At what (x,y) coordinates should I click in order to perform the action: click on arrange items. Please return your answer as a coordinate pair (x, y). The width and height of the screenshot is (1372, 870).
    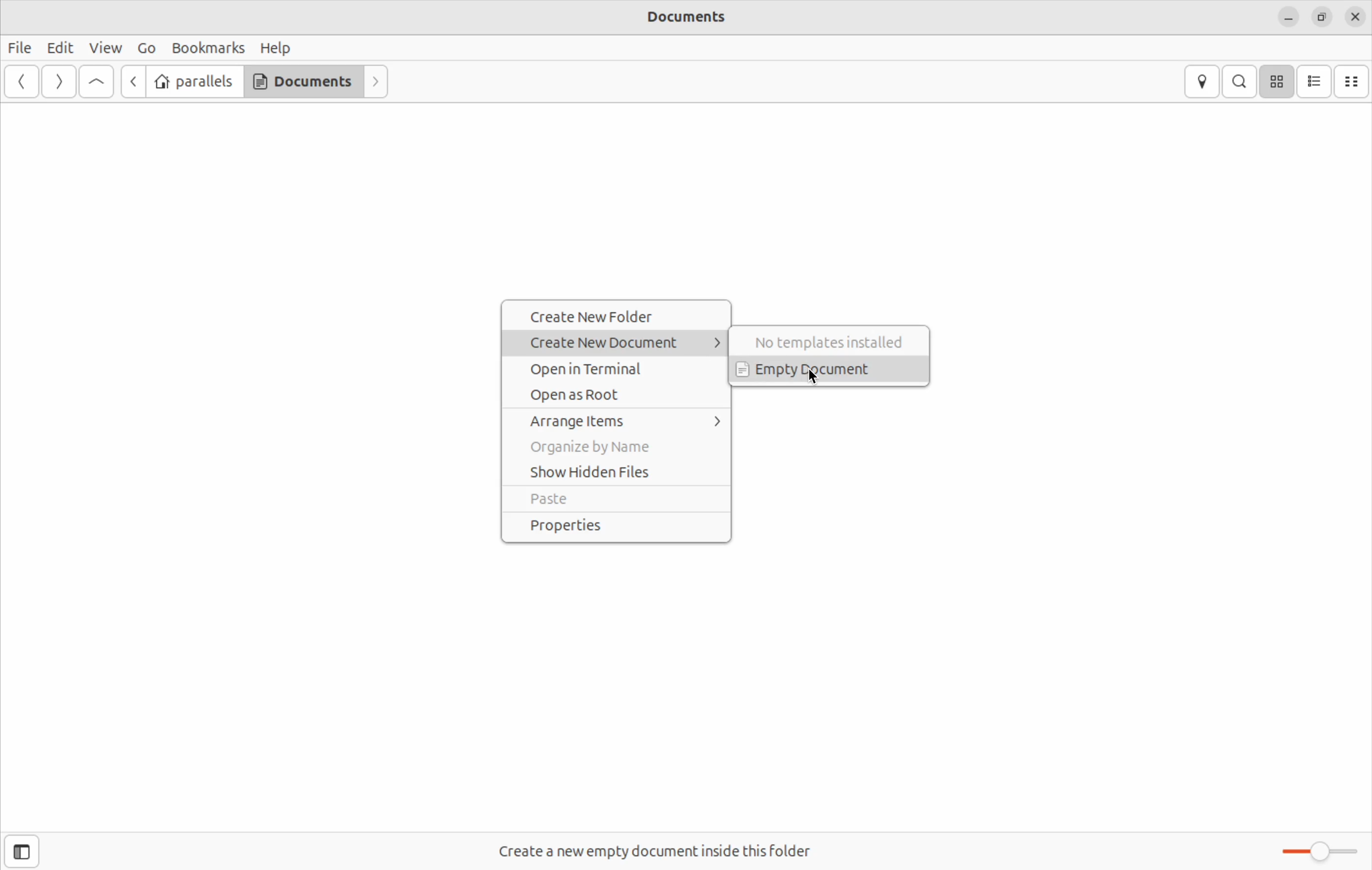
    Looking at the image, I should click on (623, 422).